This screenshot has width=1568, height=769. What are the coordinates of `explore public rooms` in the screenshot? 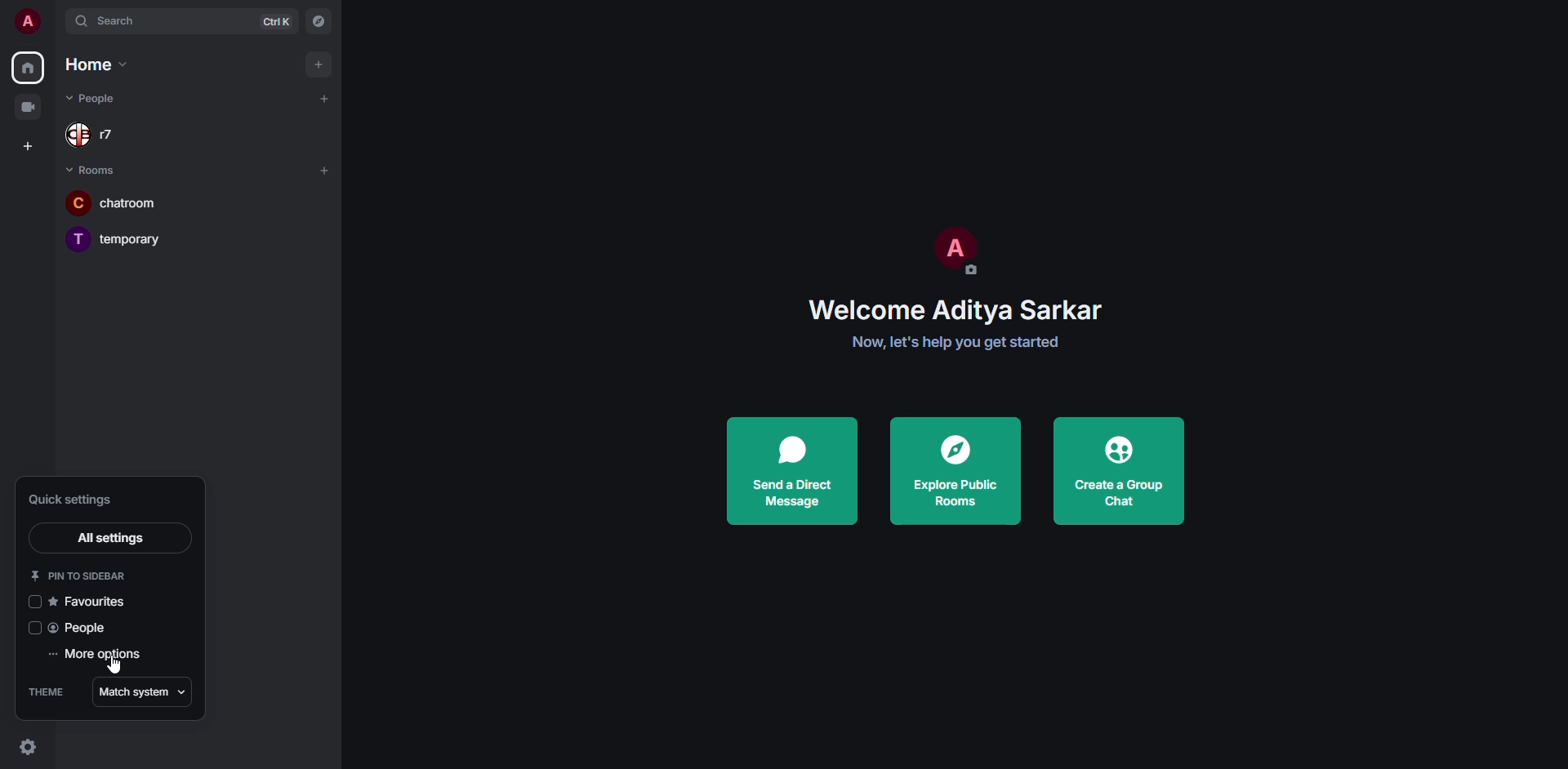 It's located at (956, 468).